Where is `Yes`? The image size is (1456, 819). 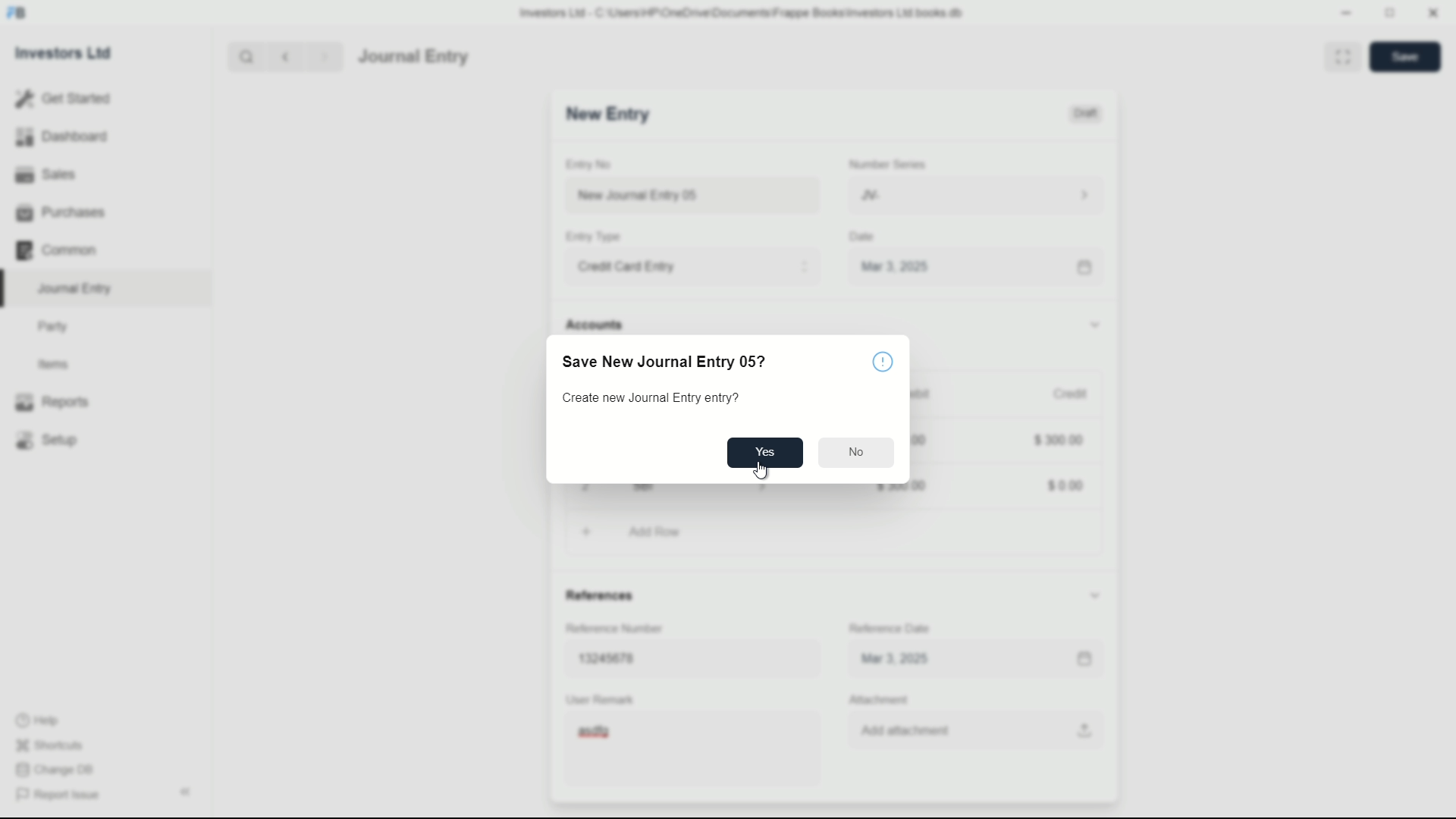 Yes is located at coordinates (768, 451).